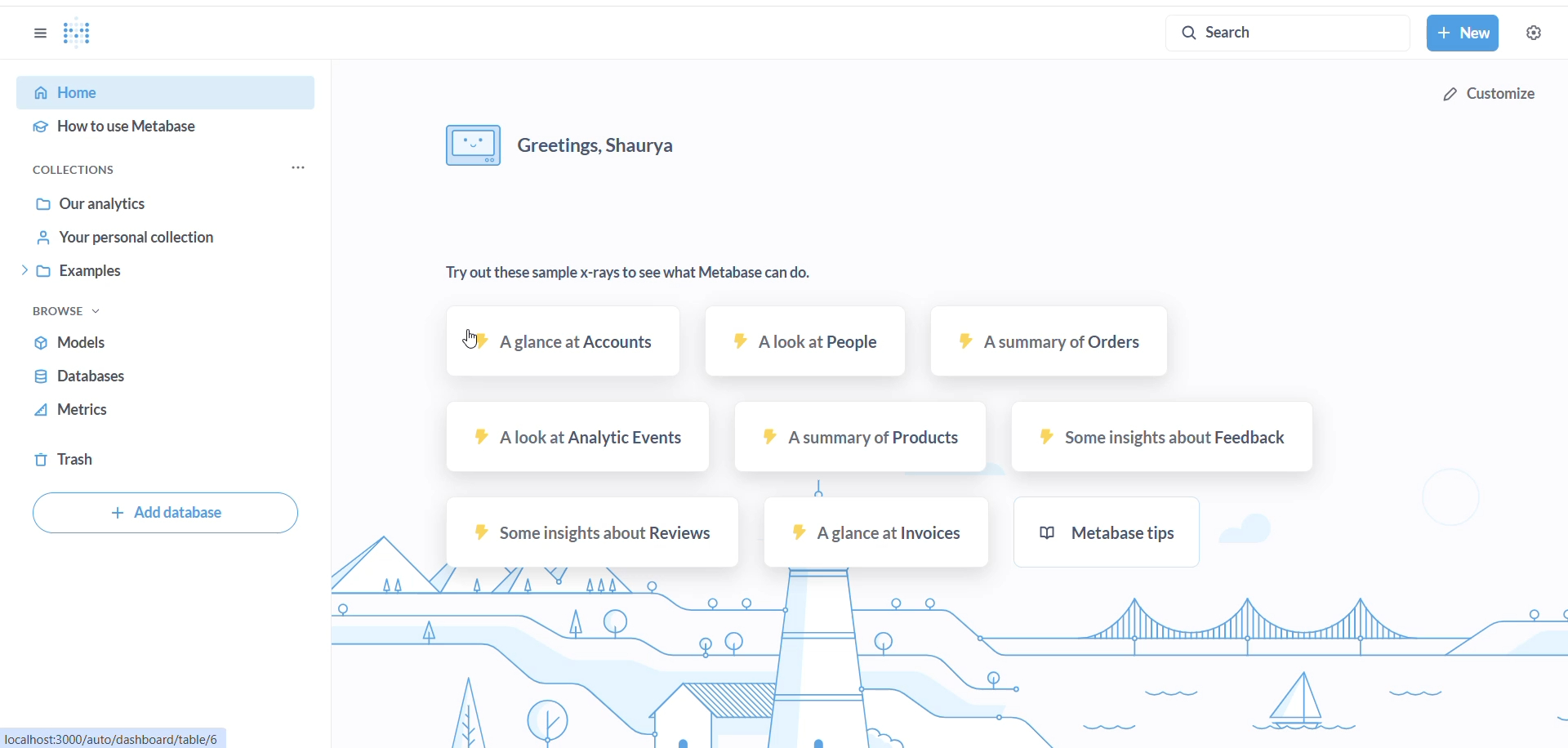 The image size is (1568, 748). I want to click on A look at analytic event sample, so click(577, 441).